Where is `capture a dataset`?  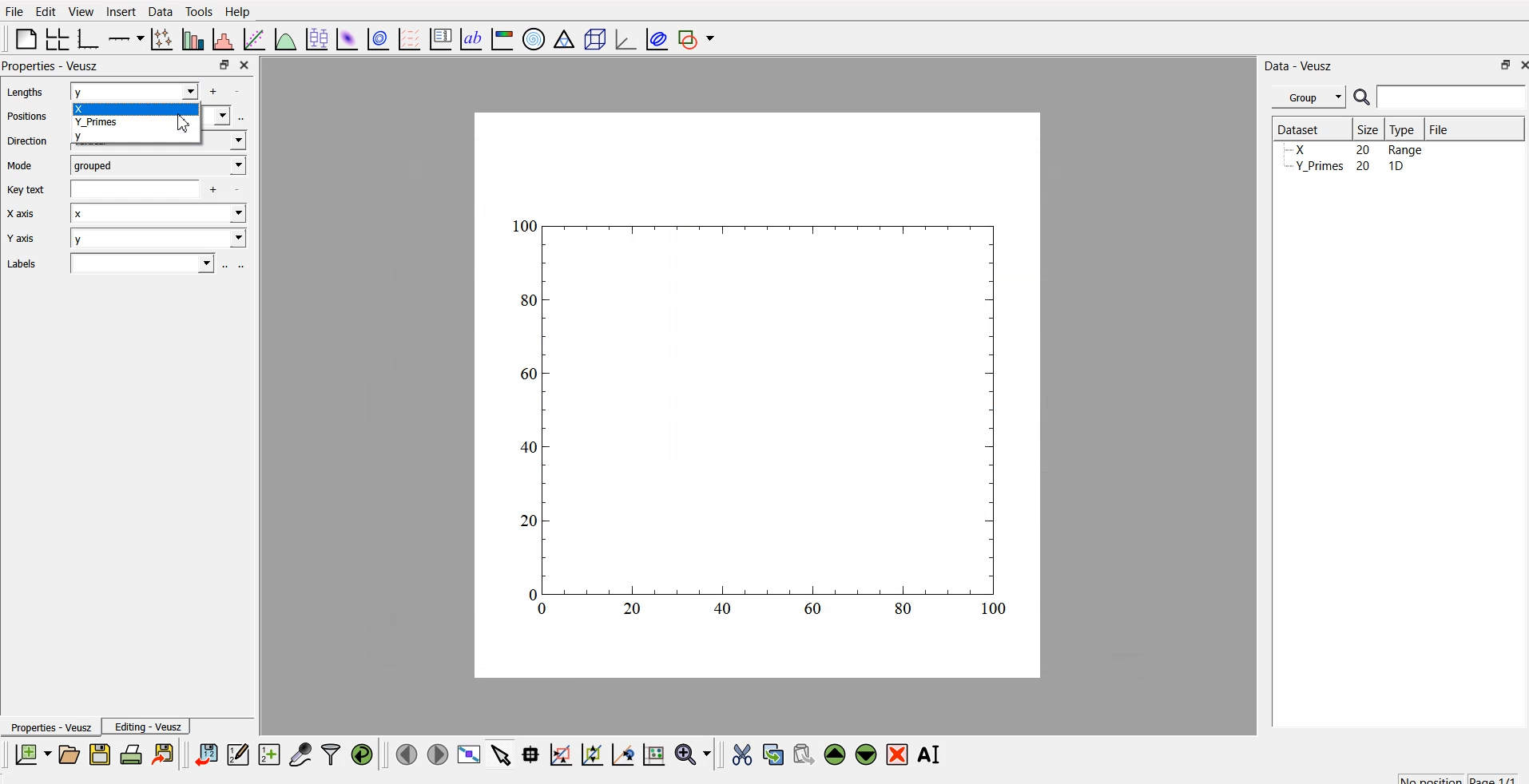
capture a dataset is located at coordinates (300, 754).